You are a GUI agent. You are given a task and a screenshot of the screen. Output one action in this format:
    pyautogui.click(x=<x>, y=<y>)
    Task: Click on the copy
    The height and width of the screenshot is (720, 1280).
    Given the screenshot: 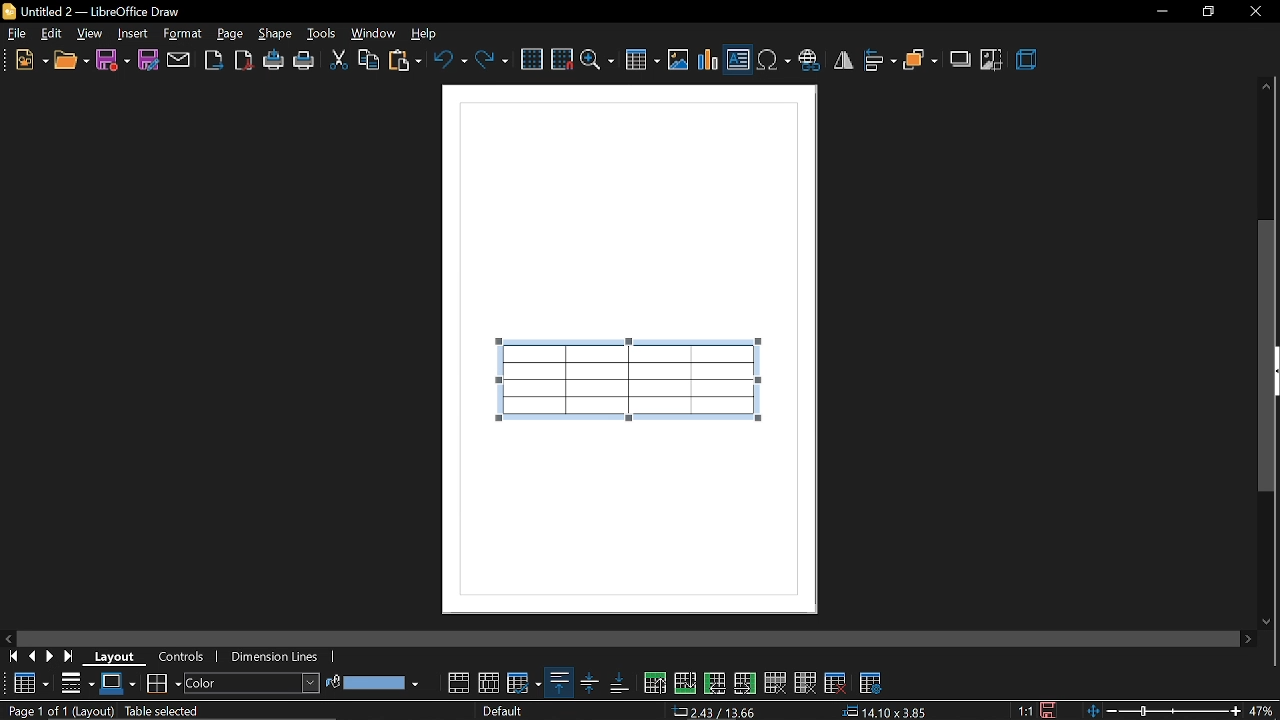 What is the action you would take?
    pyautogui.click(x=367, y=61)
    